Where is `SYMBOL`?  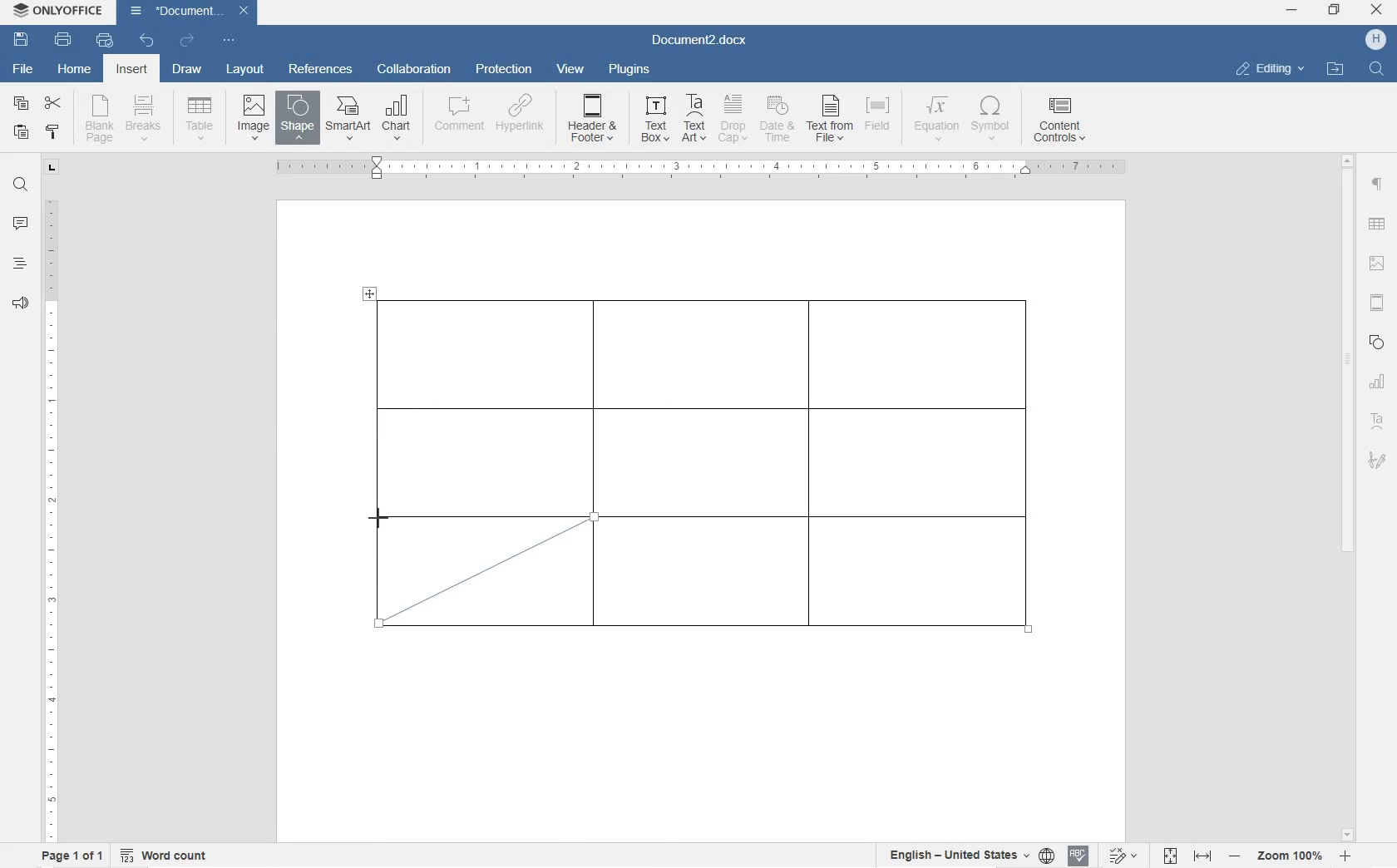 SYMBOL is located at coordinates (992, 121).